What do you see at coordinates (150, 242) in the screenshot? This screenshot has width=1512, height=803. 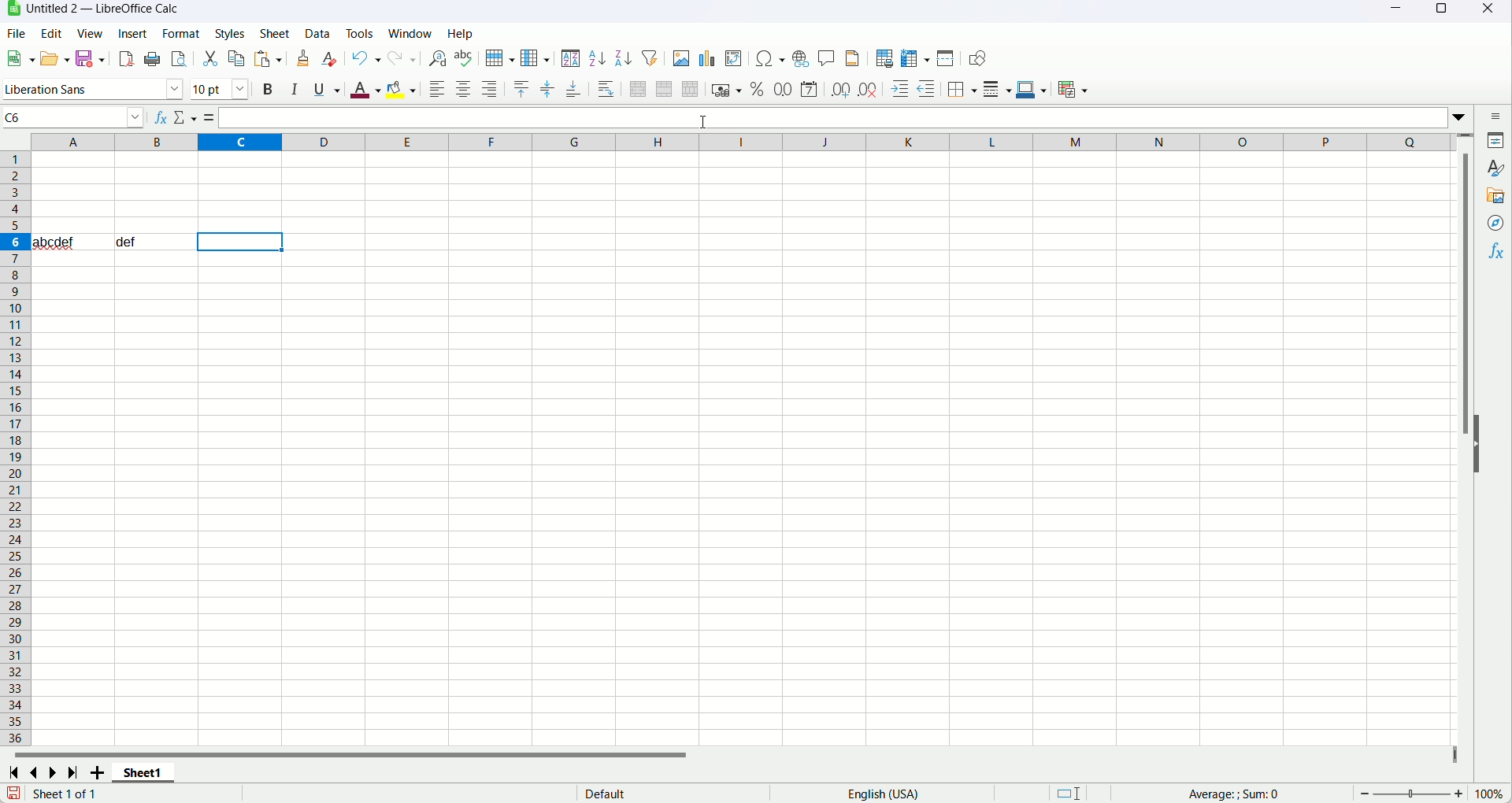 I see `DEF` at bounding box center [150, 242].